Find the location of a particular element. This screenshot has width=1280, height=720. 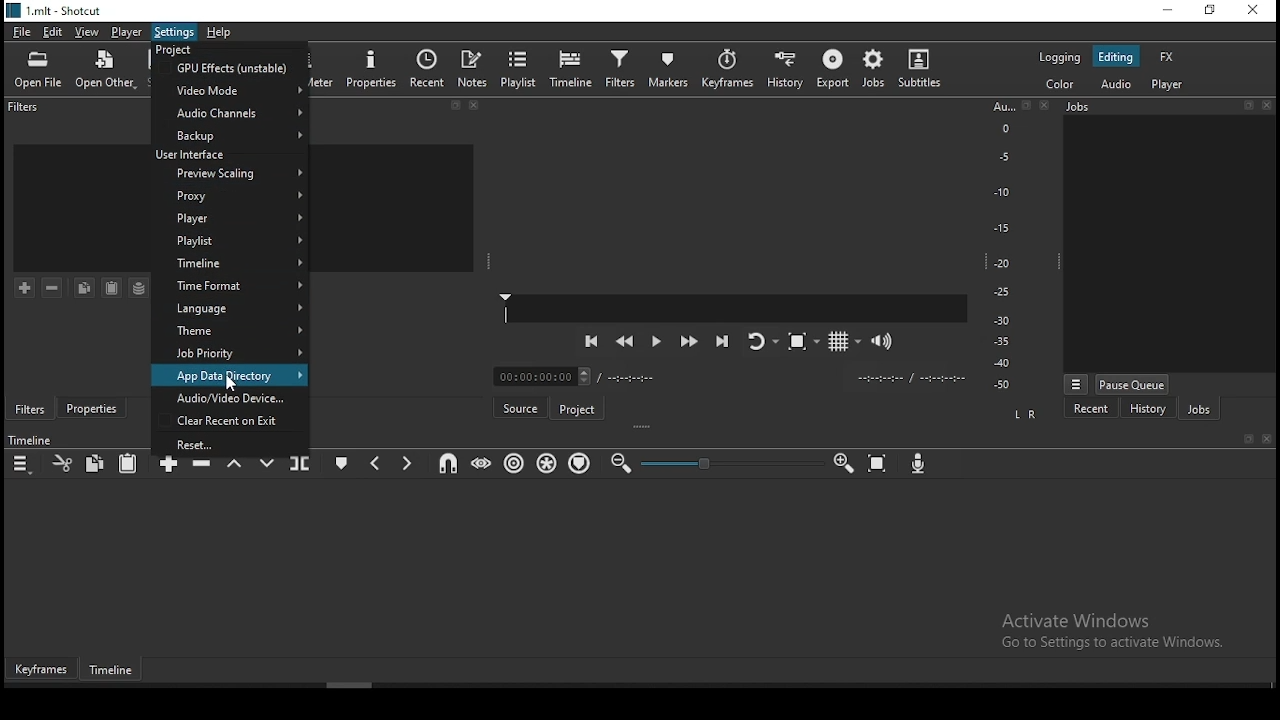

bookmark is located at coordinates (455, 107).